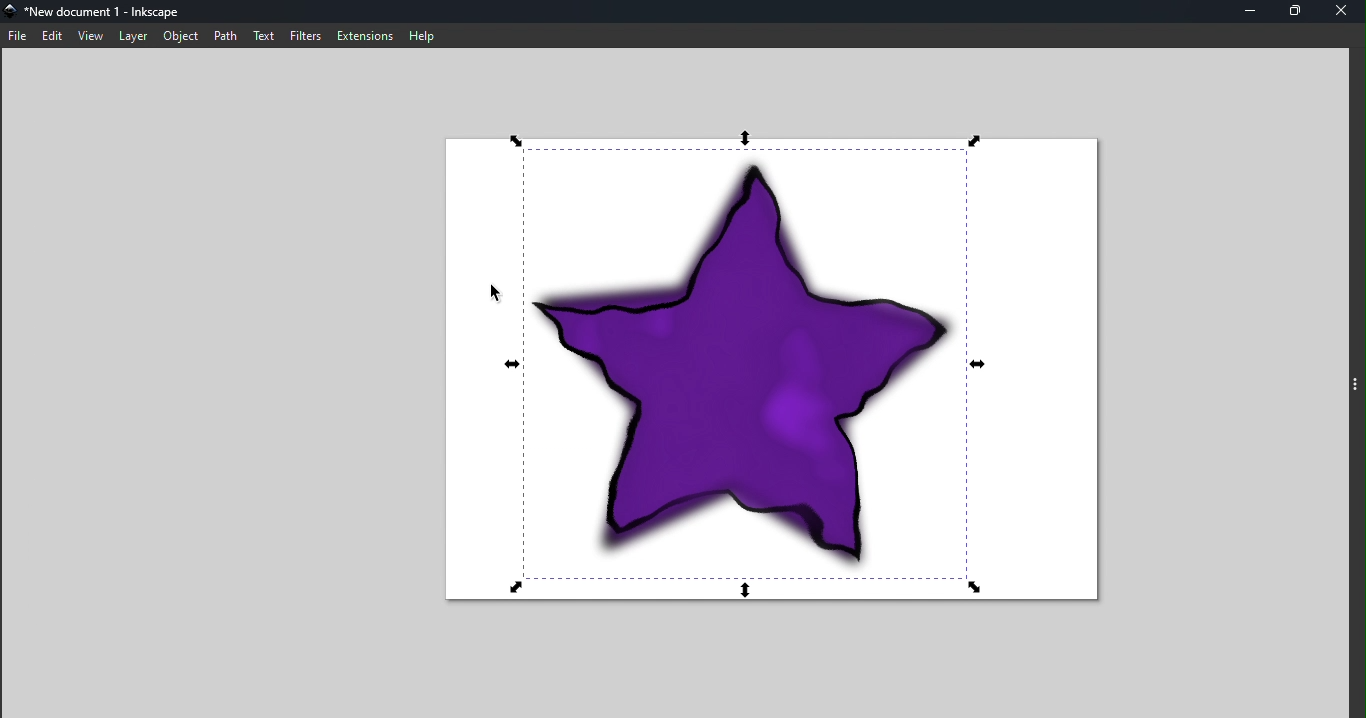 Image resolution: width=1366 pixels, height=718 pixels. I want to click on Layer, so click(133, 37).